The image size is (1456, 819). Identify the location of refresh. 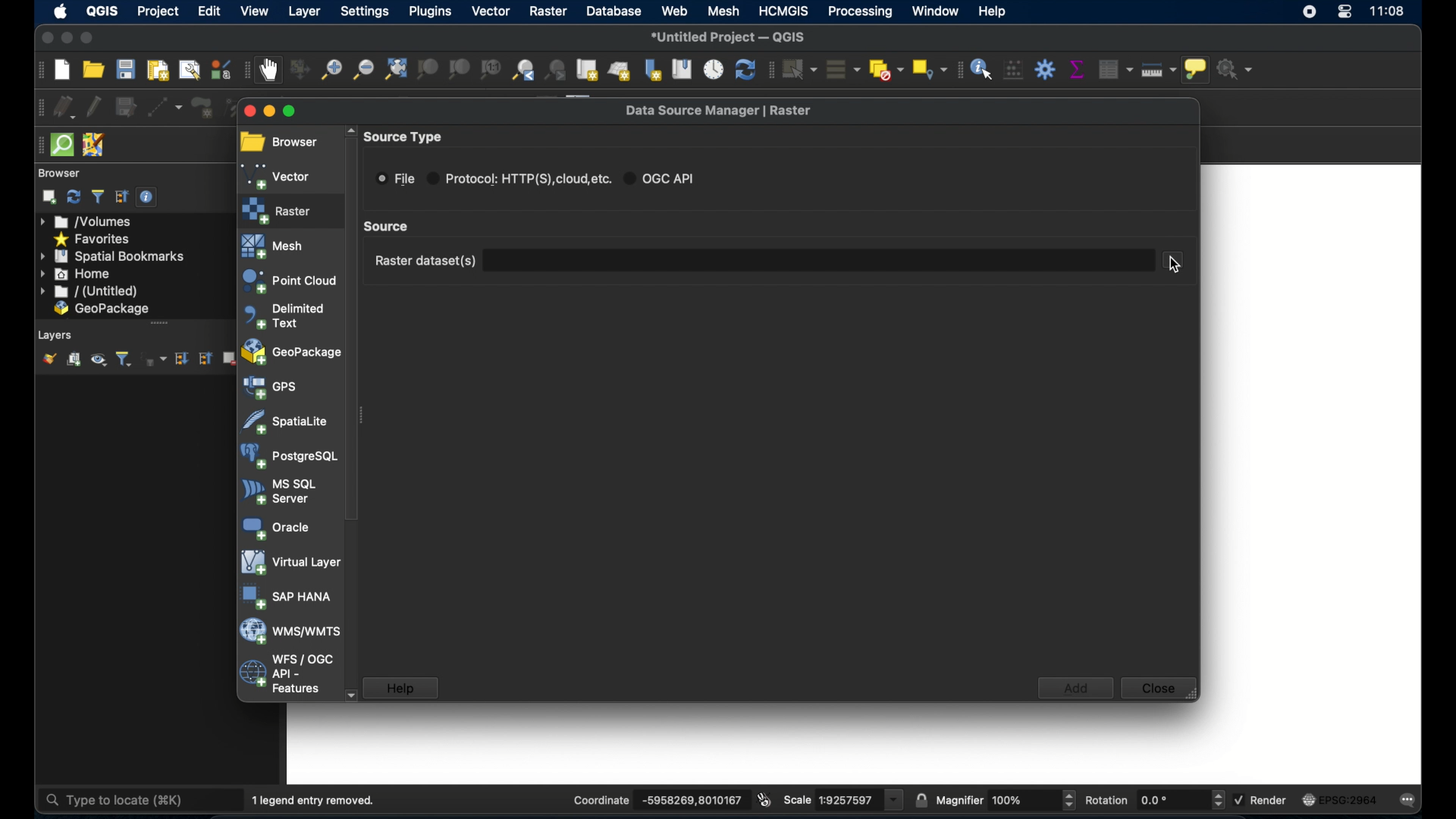
(745, 71).